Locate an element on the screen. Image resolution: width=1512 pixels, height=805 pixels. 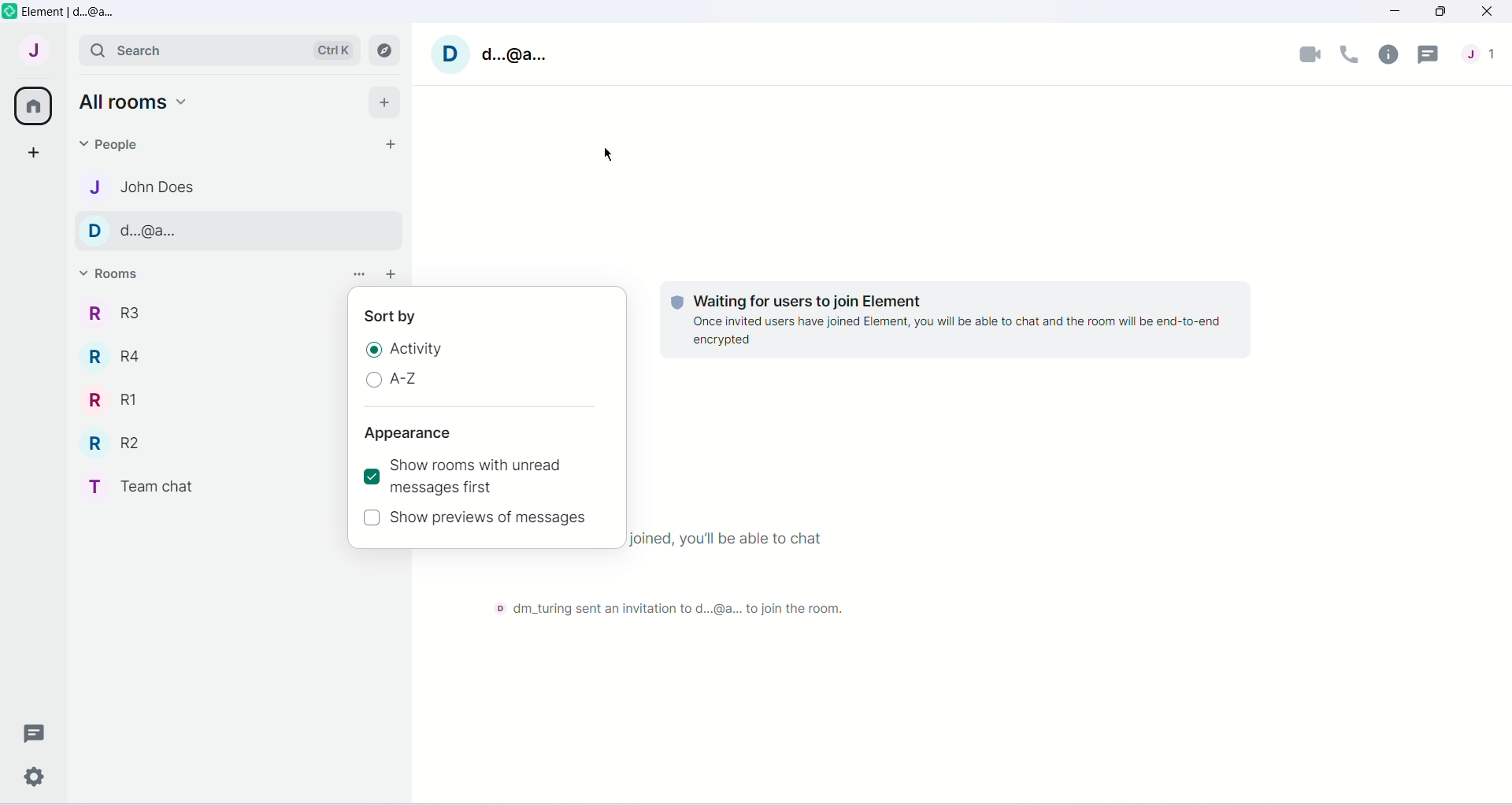
Threads is located at coordinates (31, 733).